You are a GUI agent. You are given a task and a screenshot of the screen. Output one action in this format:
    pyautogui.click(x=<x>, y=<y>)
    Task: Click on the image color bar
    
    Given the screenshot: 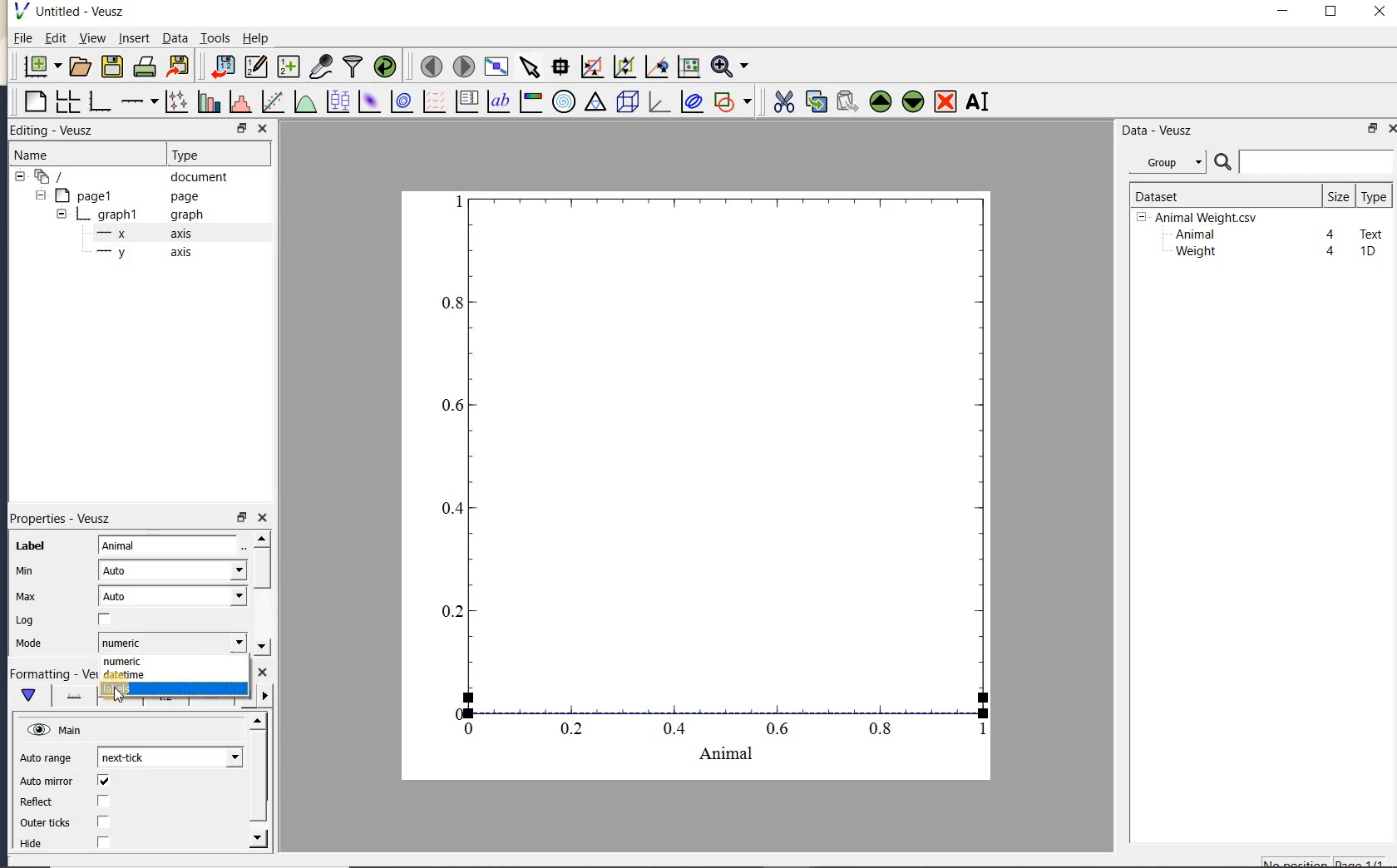 What is the action you would take?
    pyautogui.click(x=531, y=101)
    